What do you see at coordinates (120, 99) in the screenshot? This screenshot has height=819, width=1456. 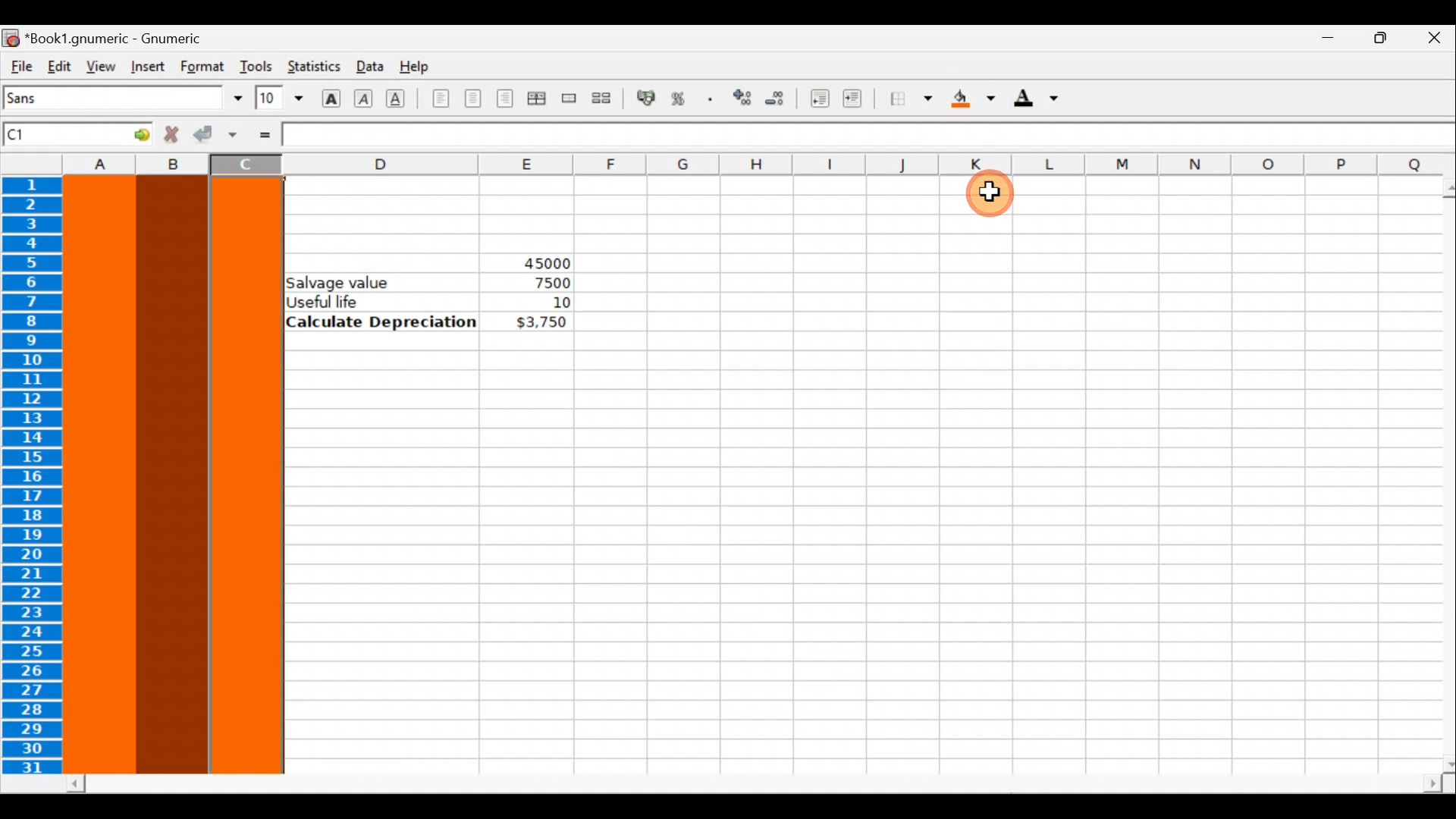 I see `Font name - Sans` at bounding box center [120, 99].